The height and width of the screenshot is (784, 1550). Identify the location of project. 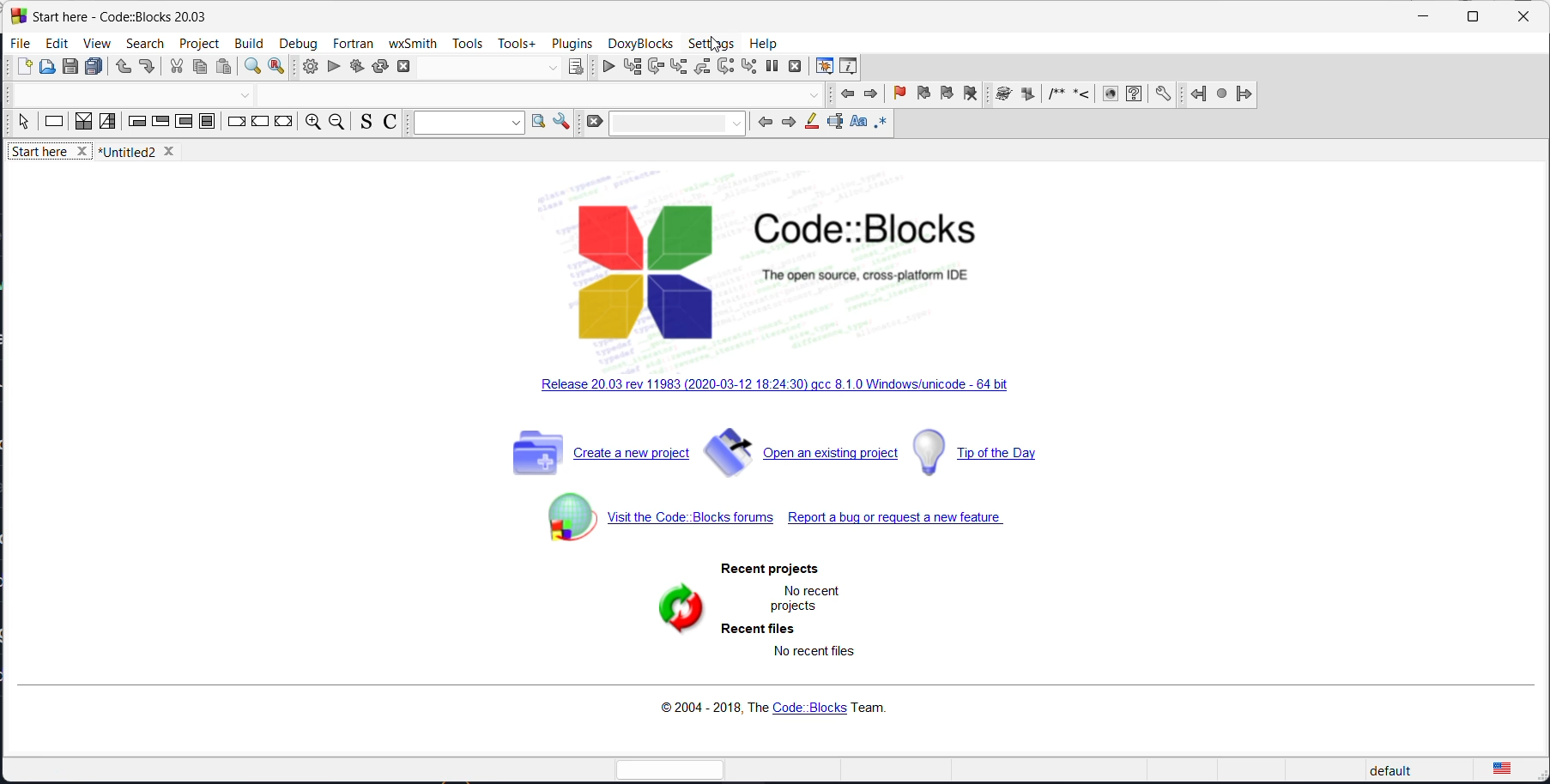
(200, 41).